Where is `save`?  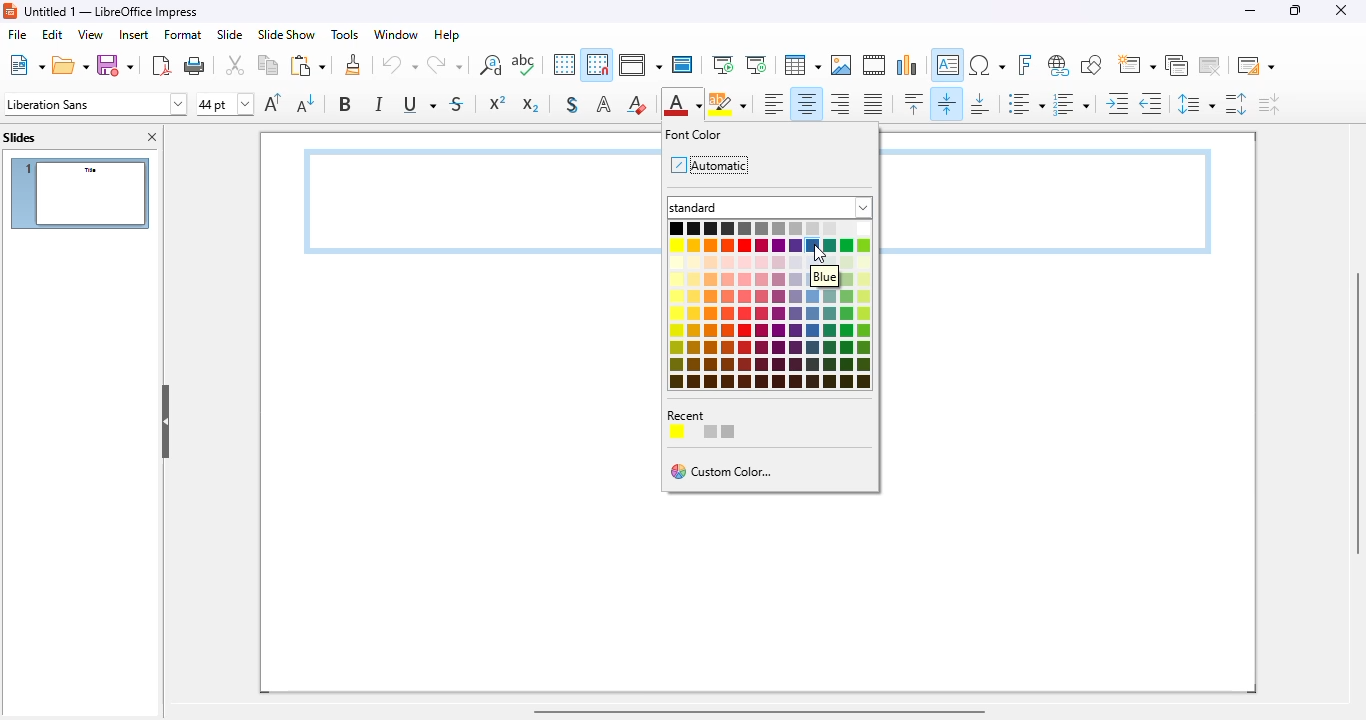
save is located at coordinates (115, 65).